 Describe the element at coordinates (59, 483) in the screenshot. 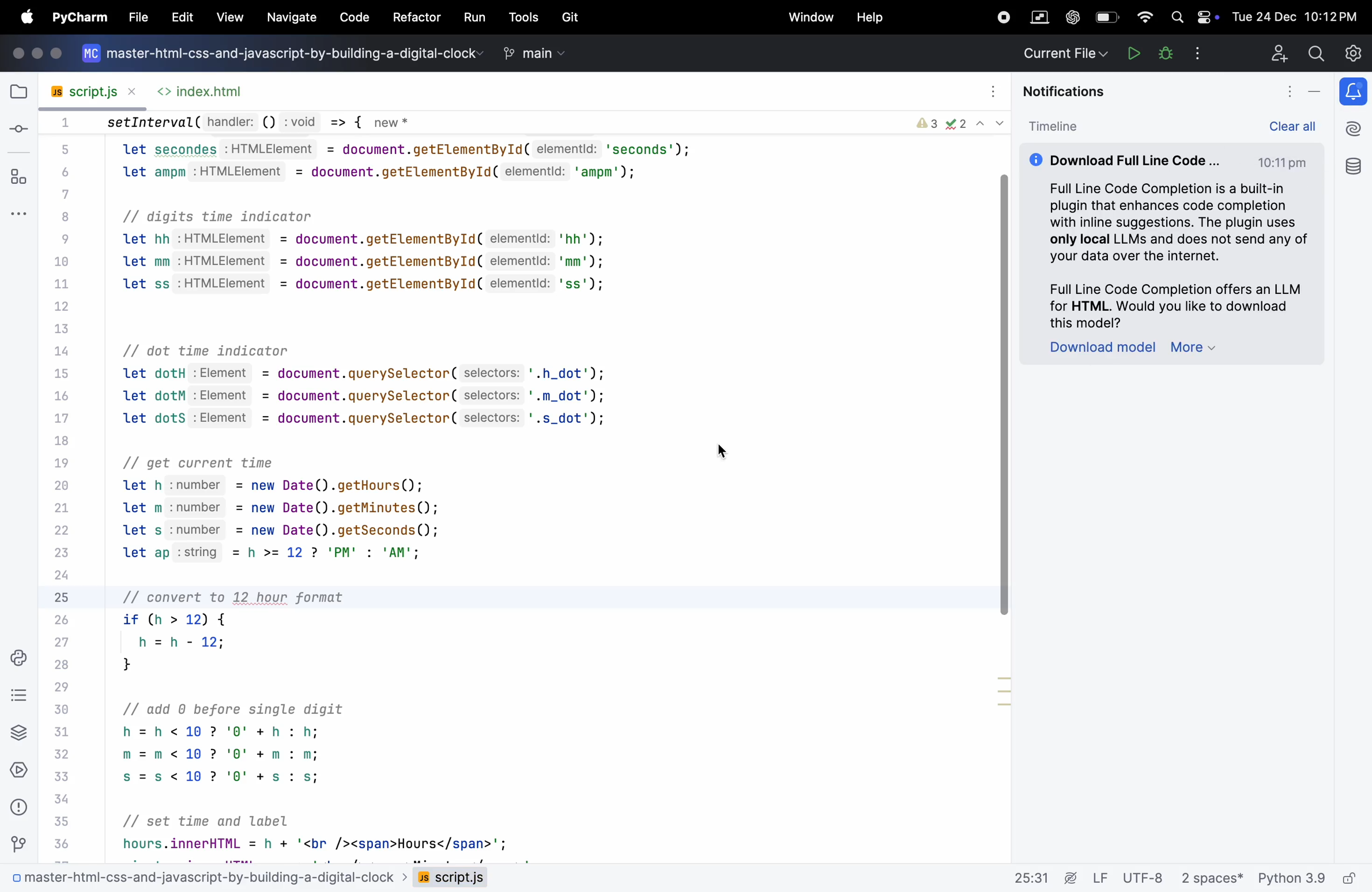

I see `code lines` at that location.